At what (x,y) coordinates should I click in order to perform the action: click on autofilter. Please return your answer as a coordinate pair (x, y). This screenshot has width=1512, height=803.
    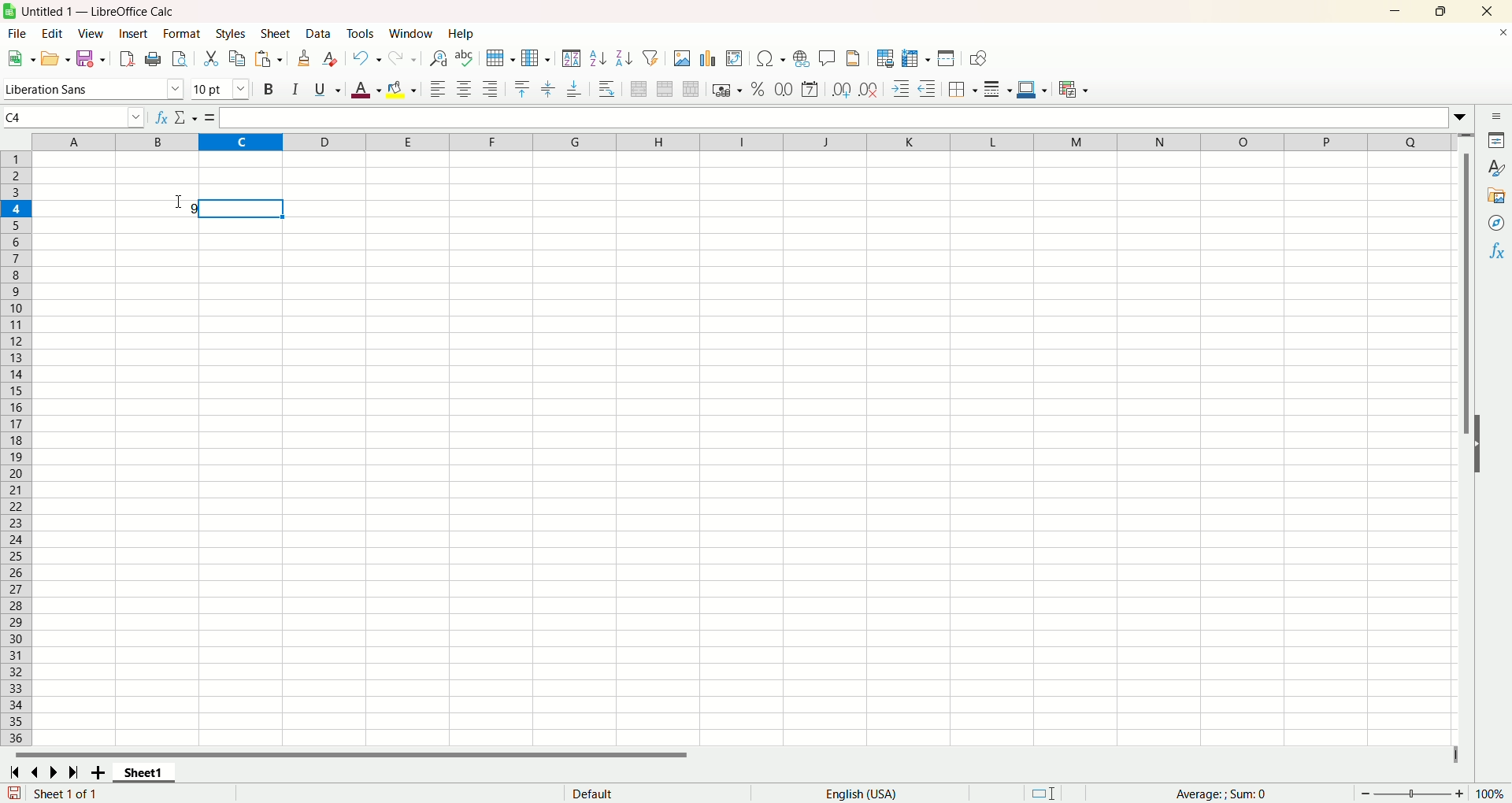
    Looking at the image, I should click on (654, 58).